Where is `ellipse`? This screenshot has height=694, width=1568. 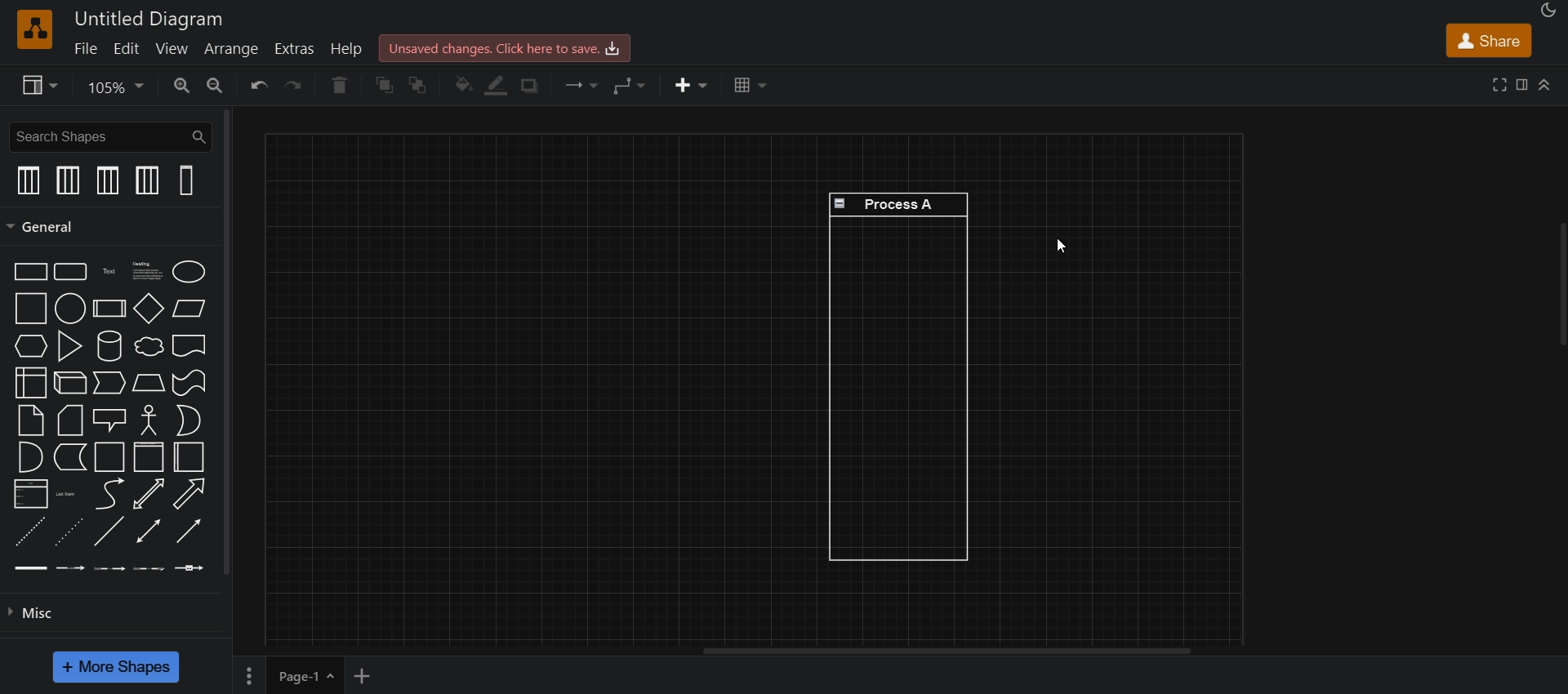
ellipse is located at coordinates (192, 270).